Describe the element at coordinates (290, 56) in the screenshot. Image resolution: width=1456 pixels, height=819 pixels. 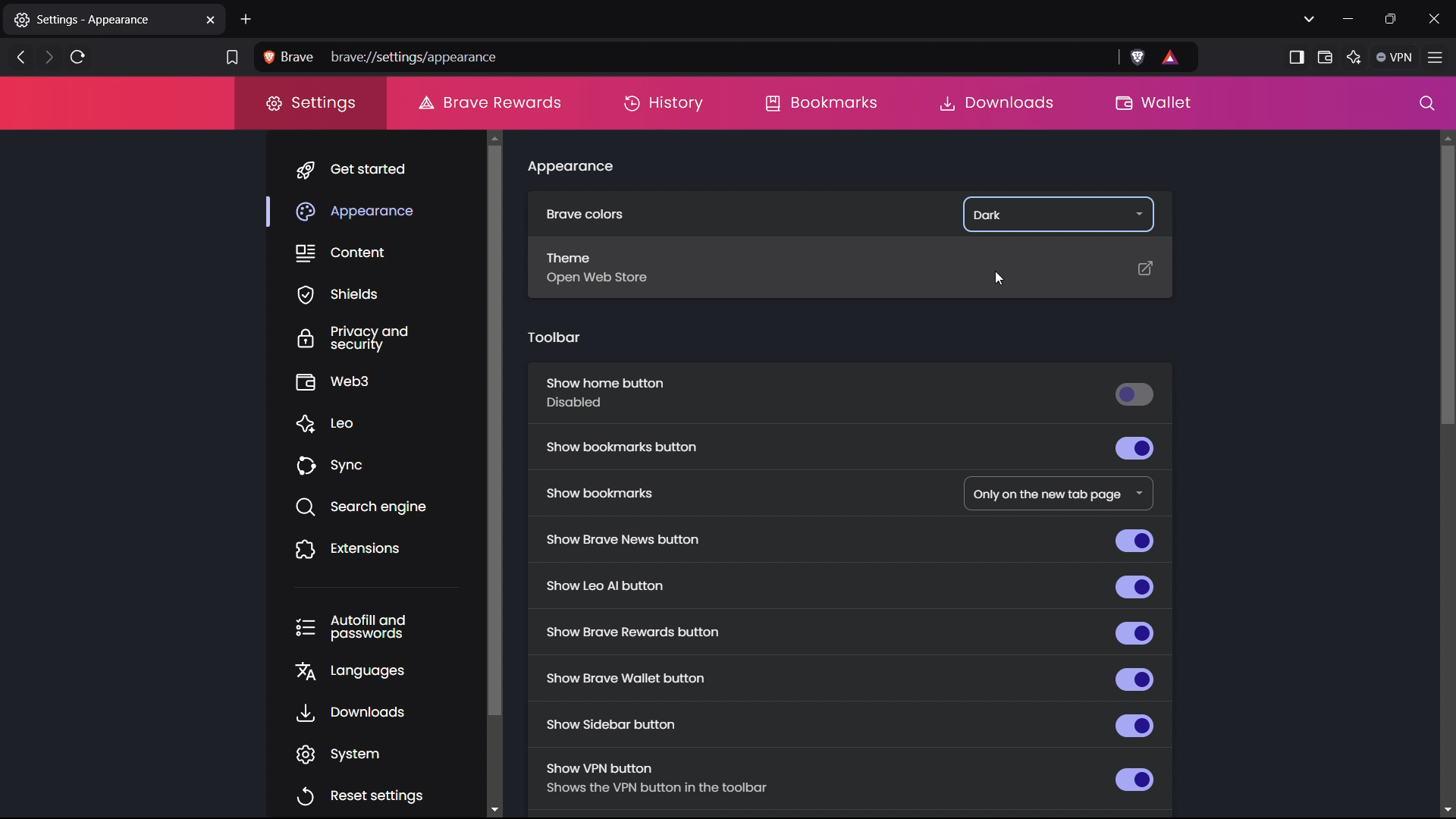
I see `Brave` at that location.